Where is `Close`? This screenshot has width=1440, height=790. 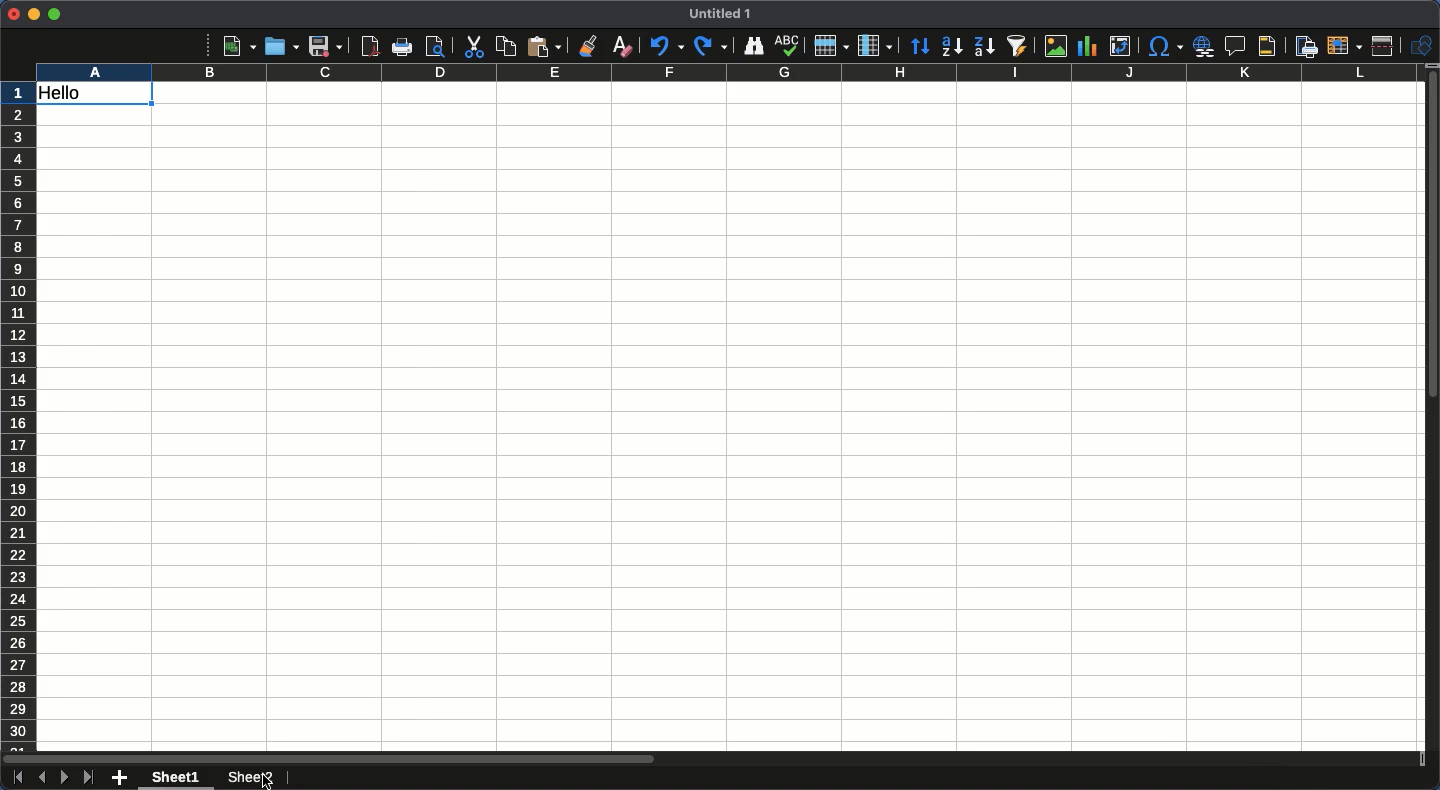
Close is located at coordinates (13, 14).